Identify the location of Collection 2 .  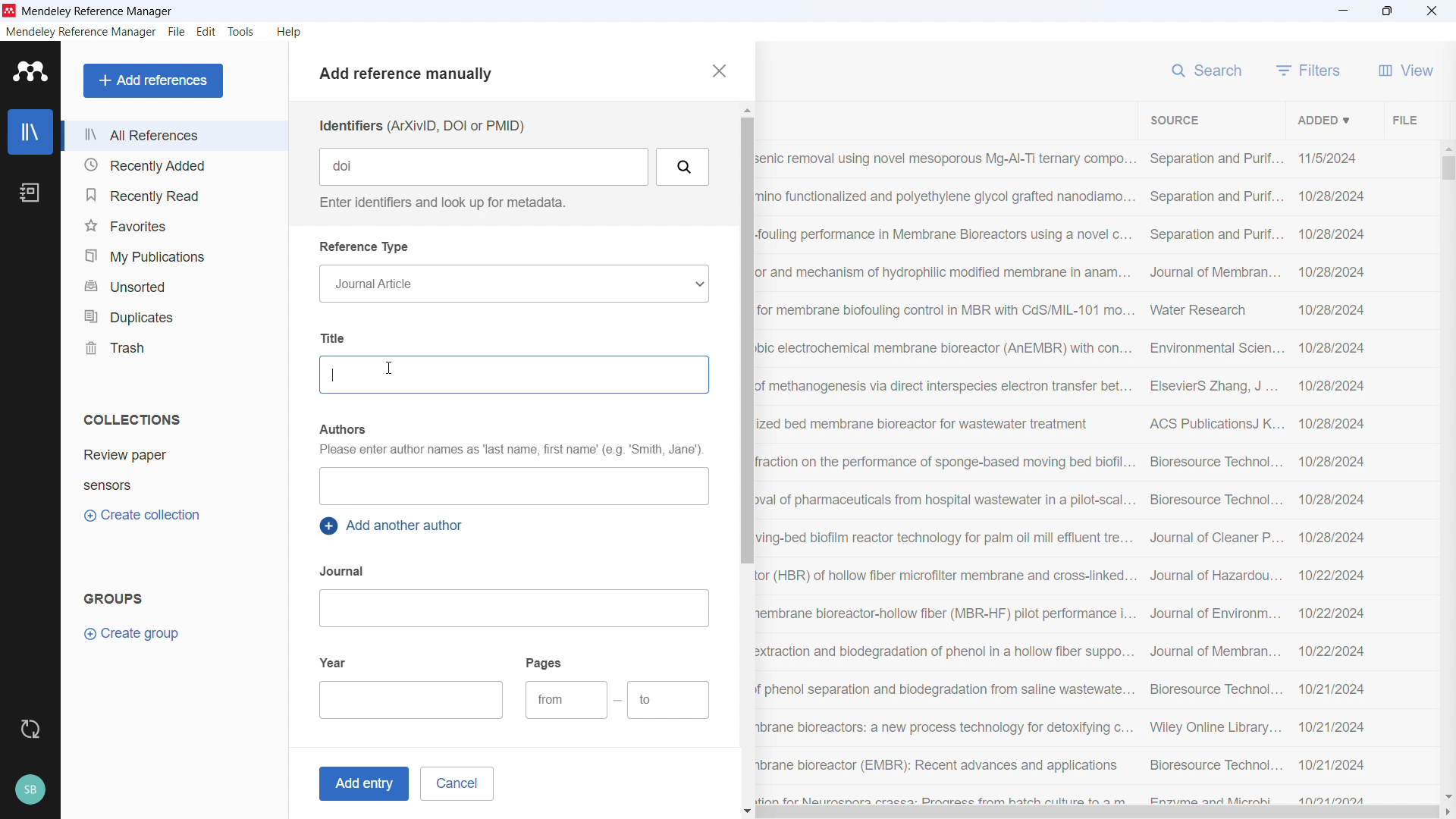
(176, 485).